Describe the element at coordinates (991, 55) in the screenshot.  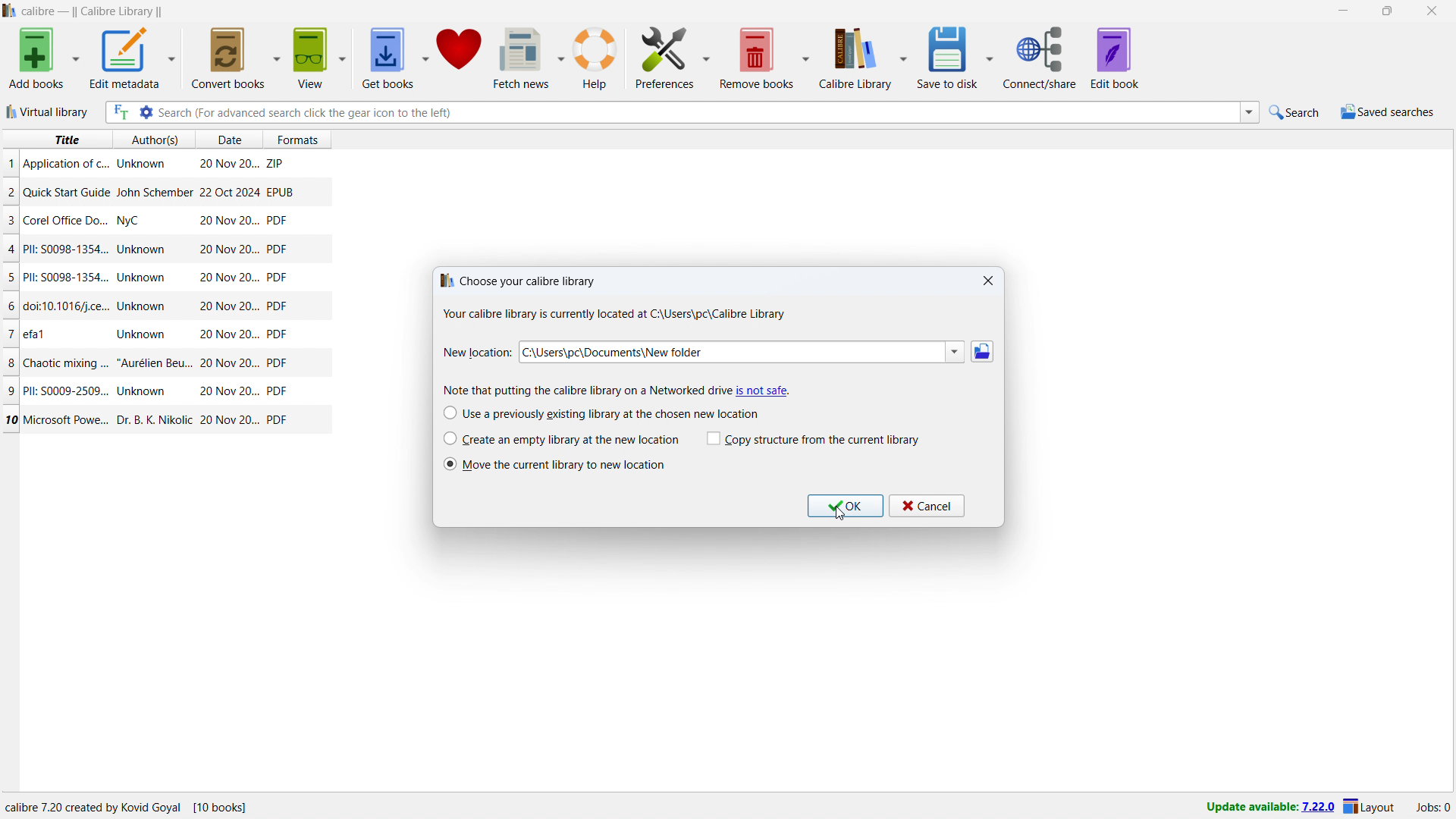
I see `save to disk options` at that location.